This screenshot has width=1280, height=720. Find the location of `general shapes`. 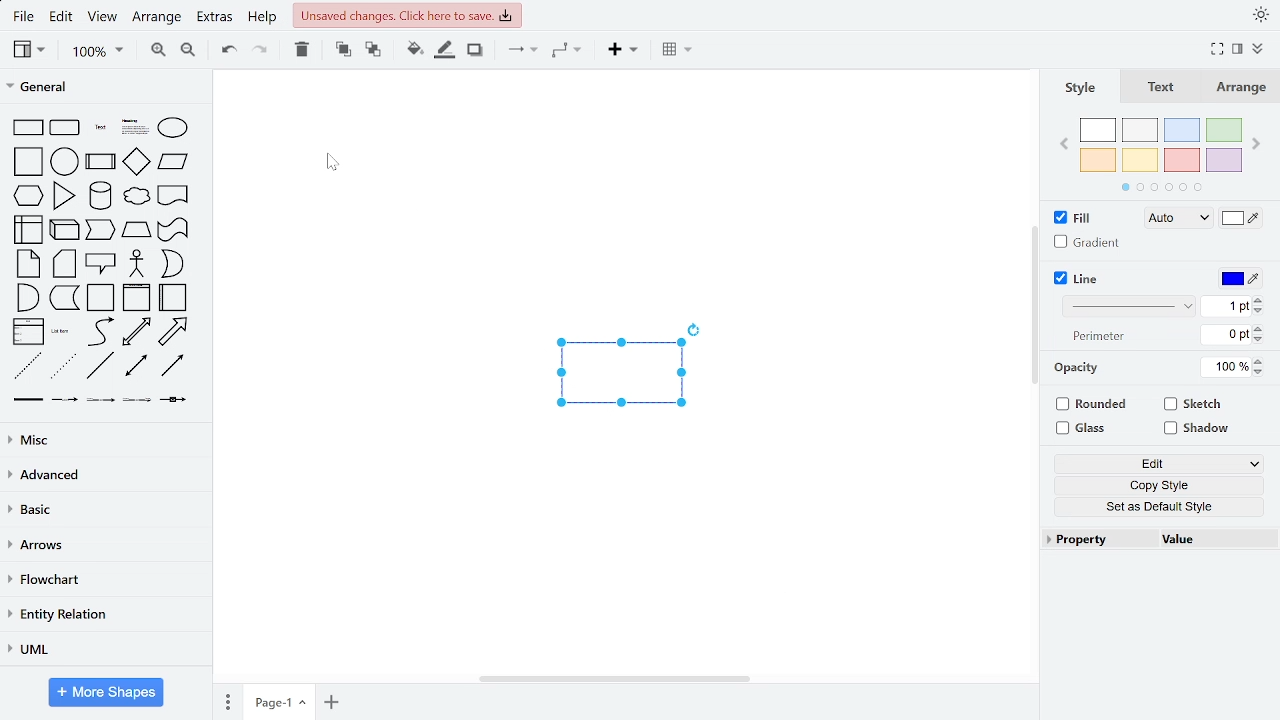

general shapes is located at coordinates (104, 259).